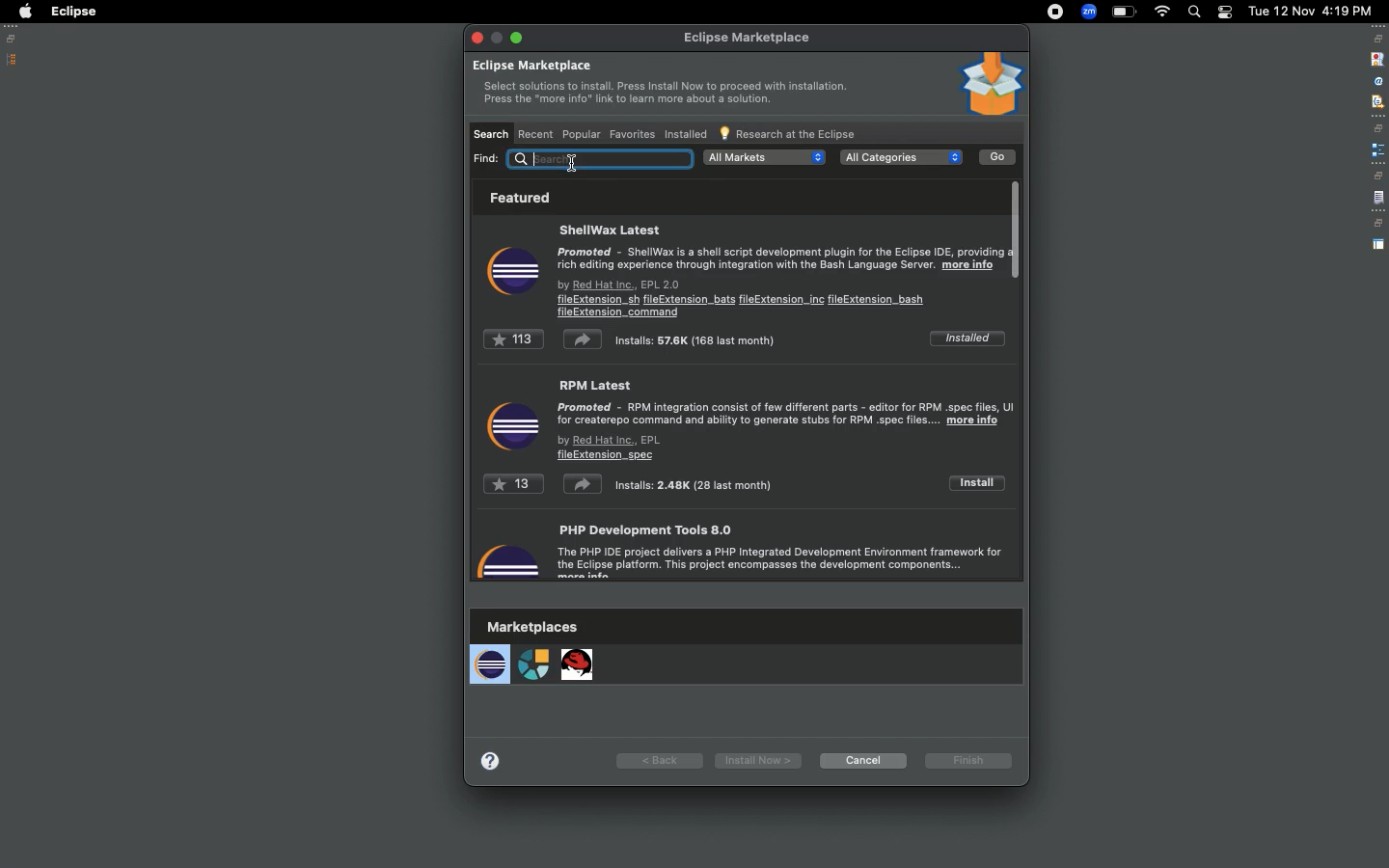 The width and height of the screenshot is (1389, 868). What do you see at coordinates (580, 134) in the screenshot?
I see `Popular` at bounding box center [580, 134].